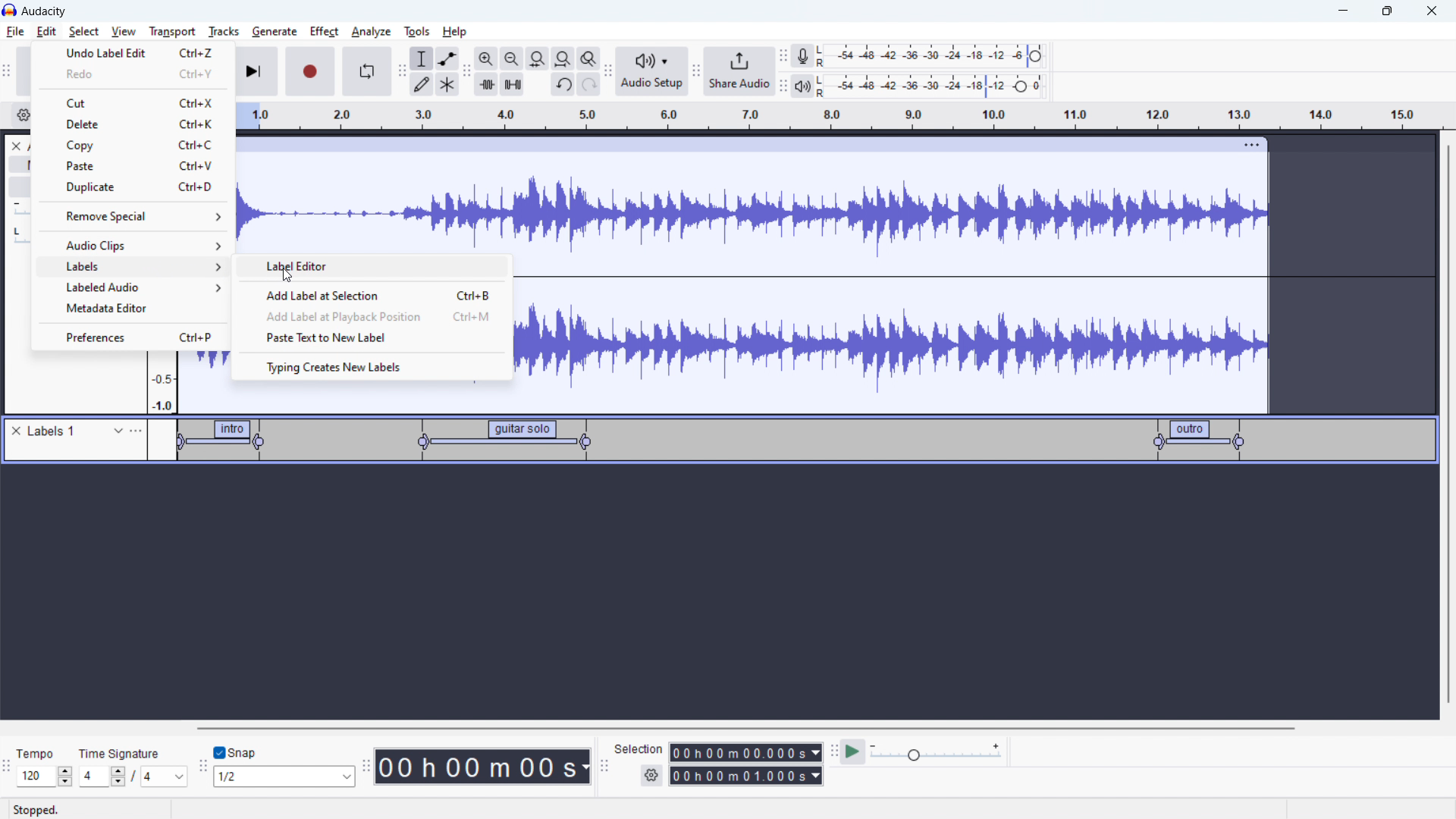  What do you see at coordinates (327, 336) in the screenshot?
I see `Paste Text to New Label` at bounding box center [327, 336].